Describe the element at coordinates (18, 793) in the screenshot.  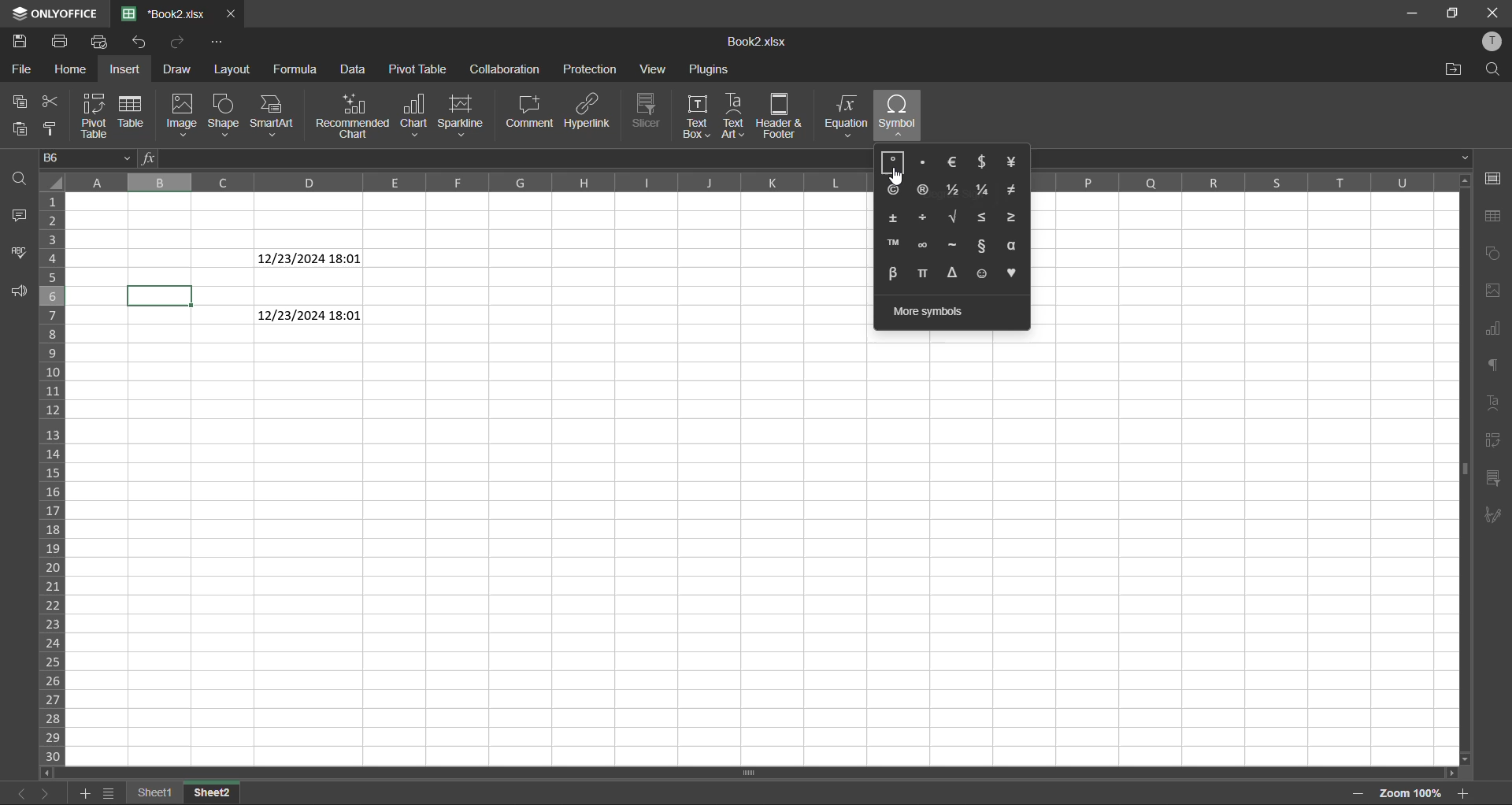
I see `previous` at that location.